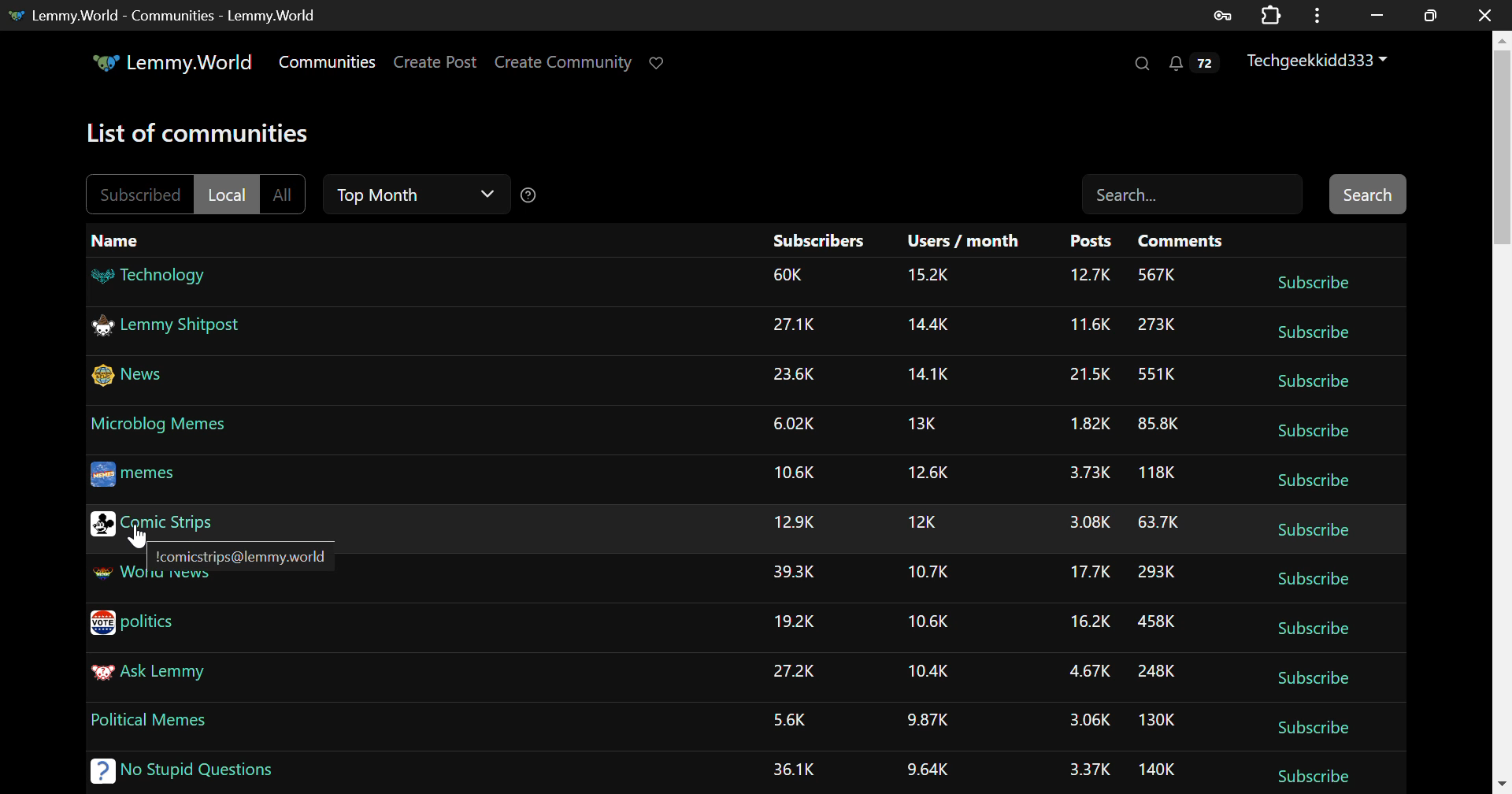 The height and width of the screenshot is (794, 1512). What do you see at coordinates (795, 374) in the screenshot?
I see `Amount` at bounding box center [795, 374].